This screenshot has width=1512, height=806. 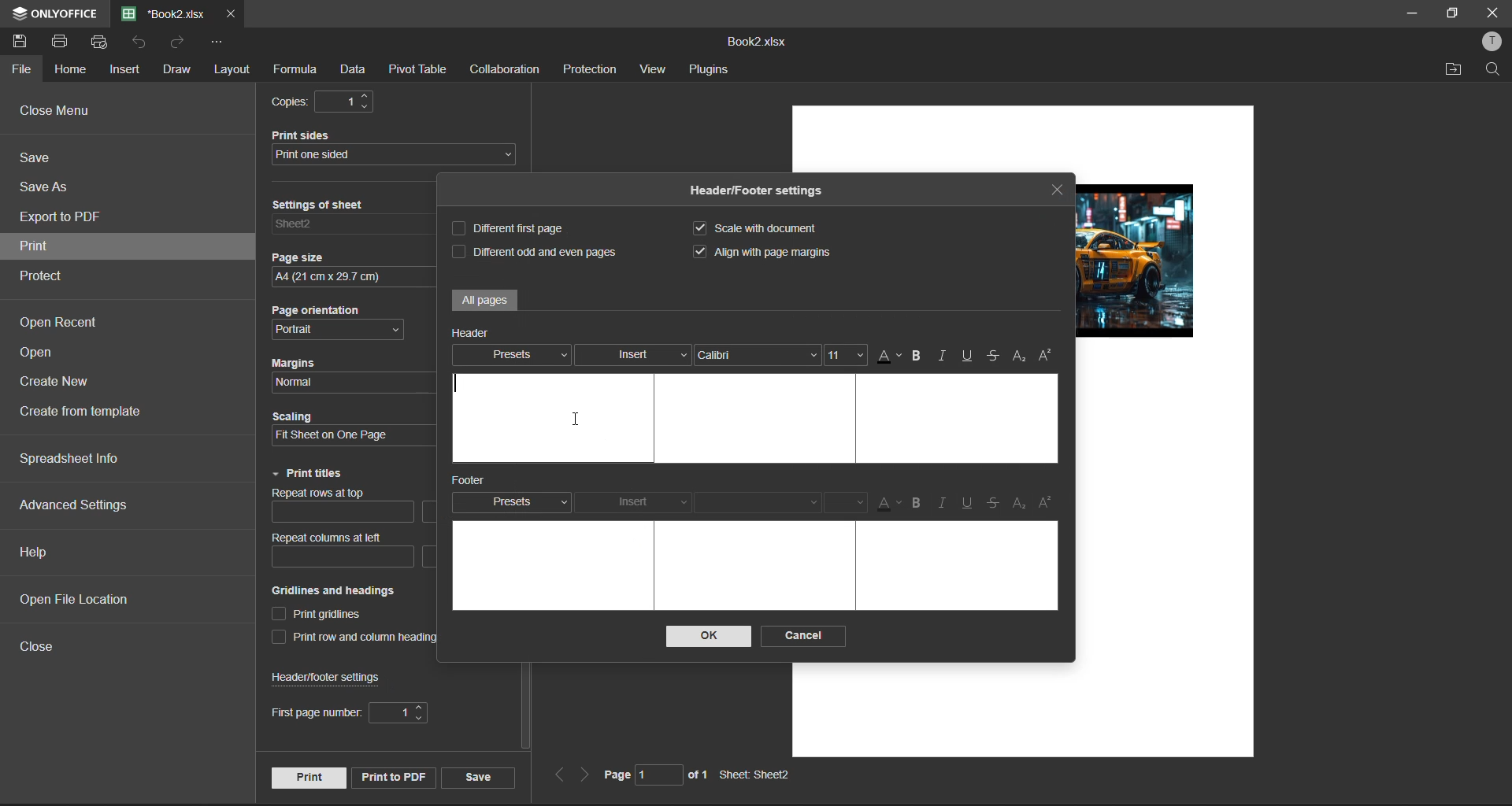 I want to click on redo, so click(x=180, y=45).